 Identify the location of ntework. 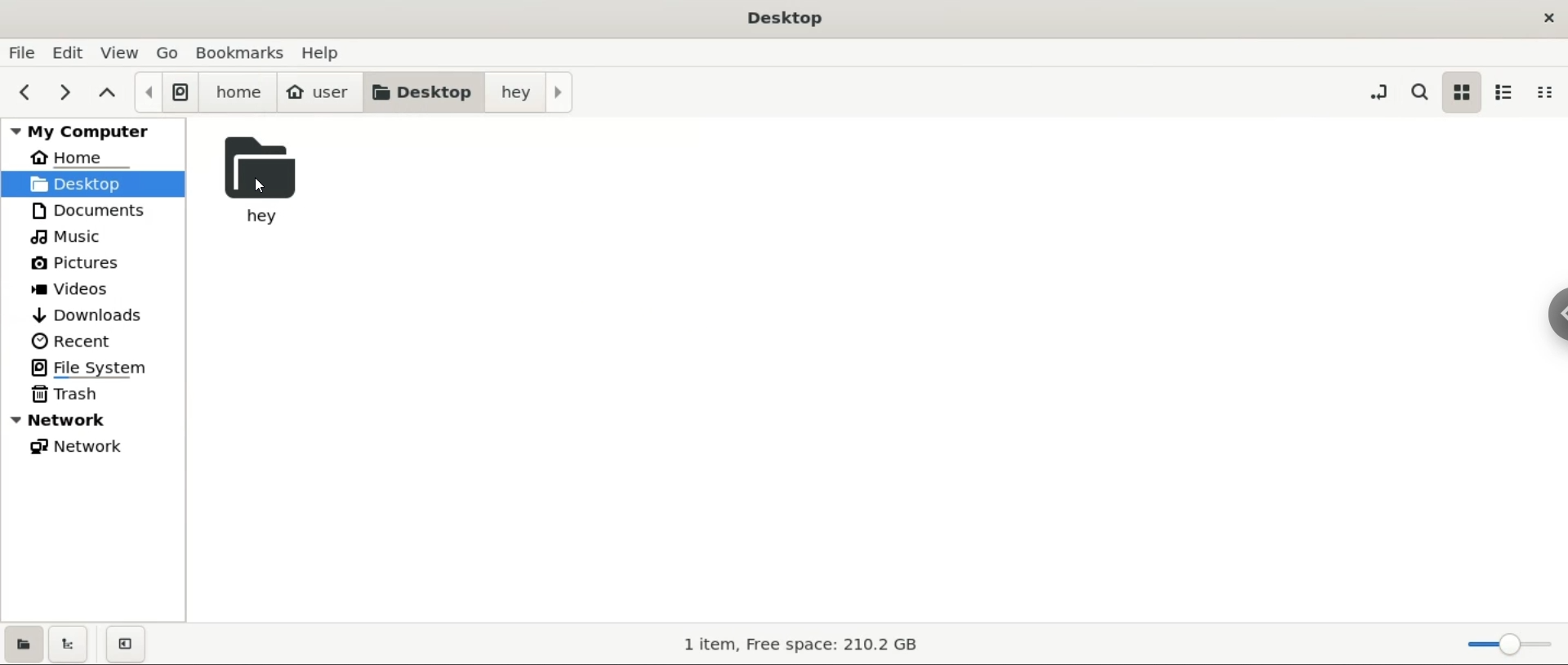
(95, 422).